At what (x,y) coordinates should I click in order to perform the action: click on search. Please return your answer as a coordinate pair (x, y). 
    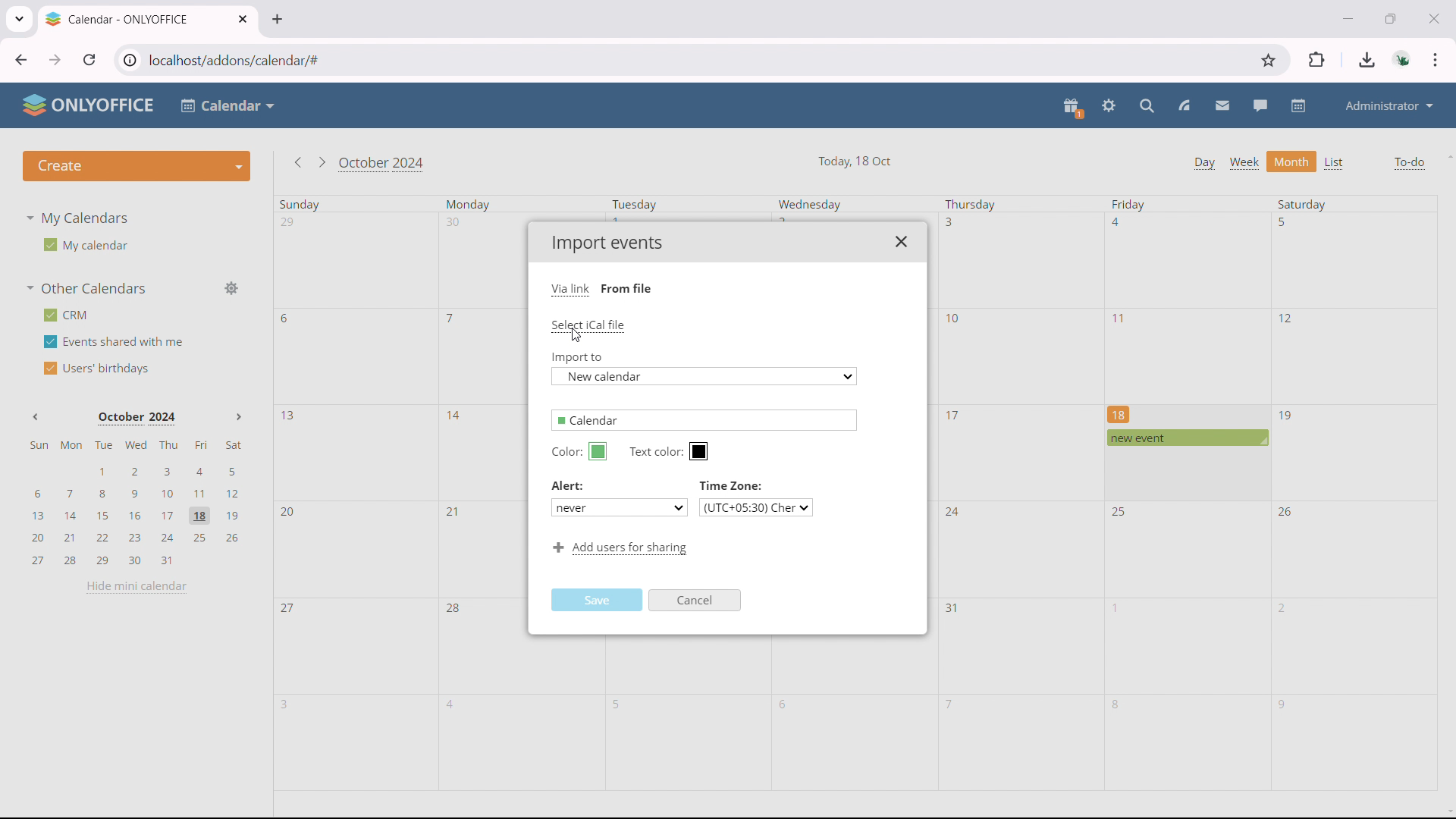
    Looking at the image, I should click on (1148, 106).